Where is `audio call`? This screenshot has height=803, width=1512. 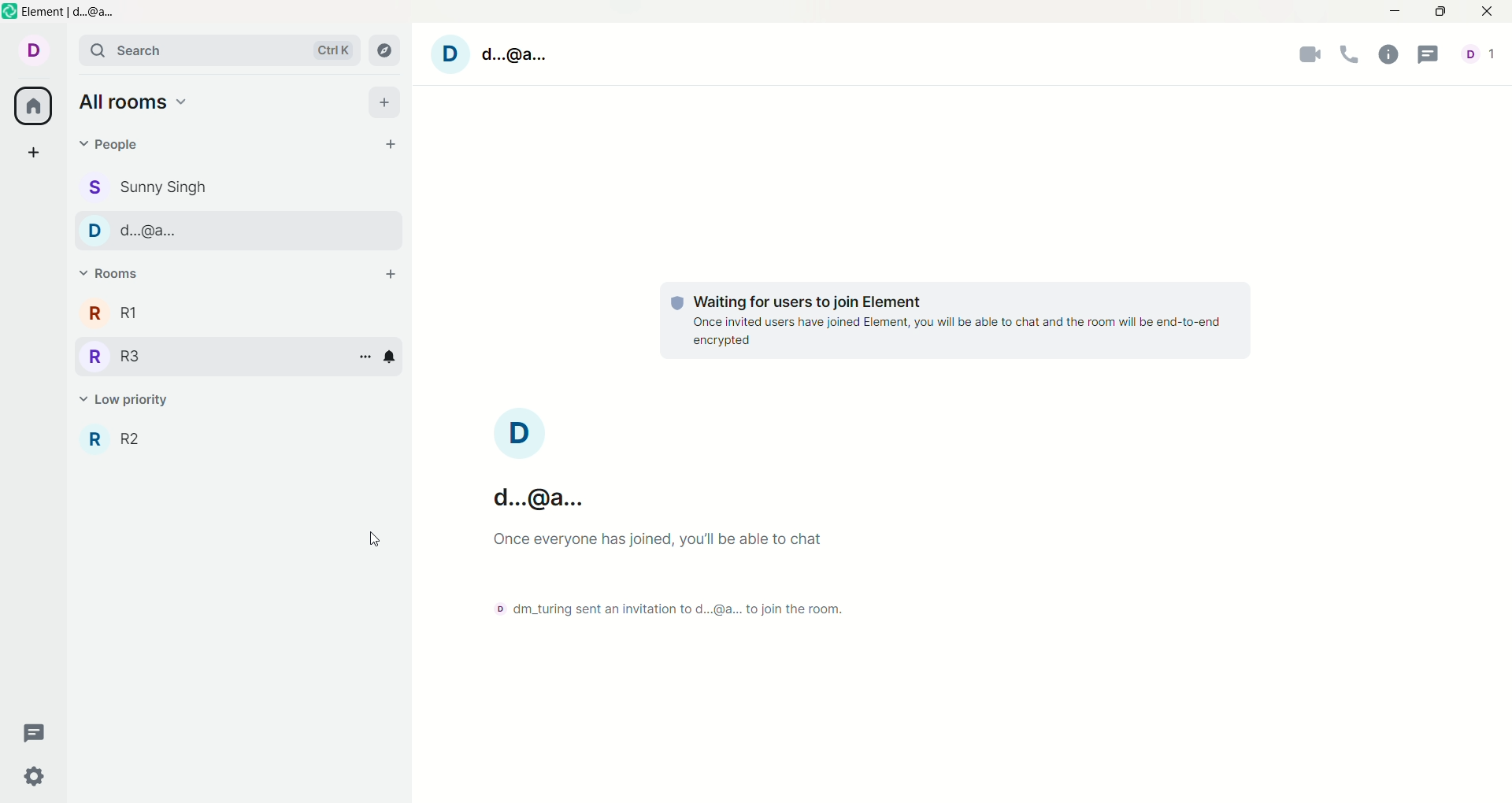 audio call is located at coordinates (1351, 56).